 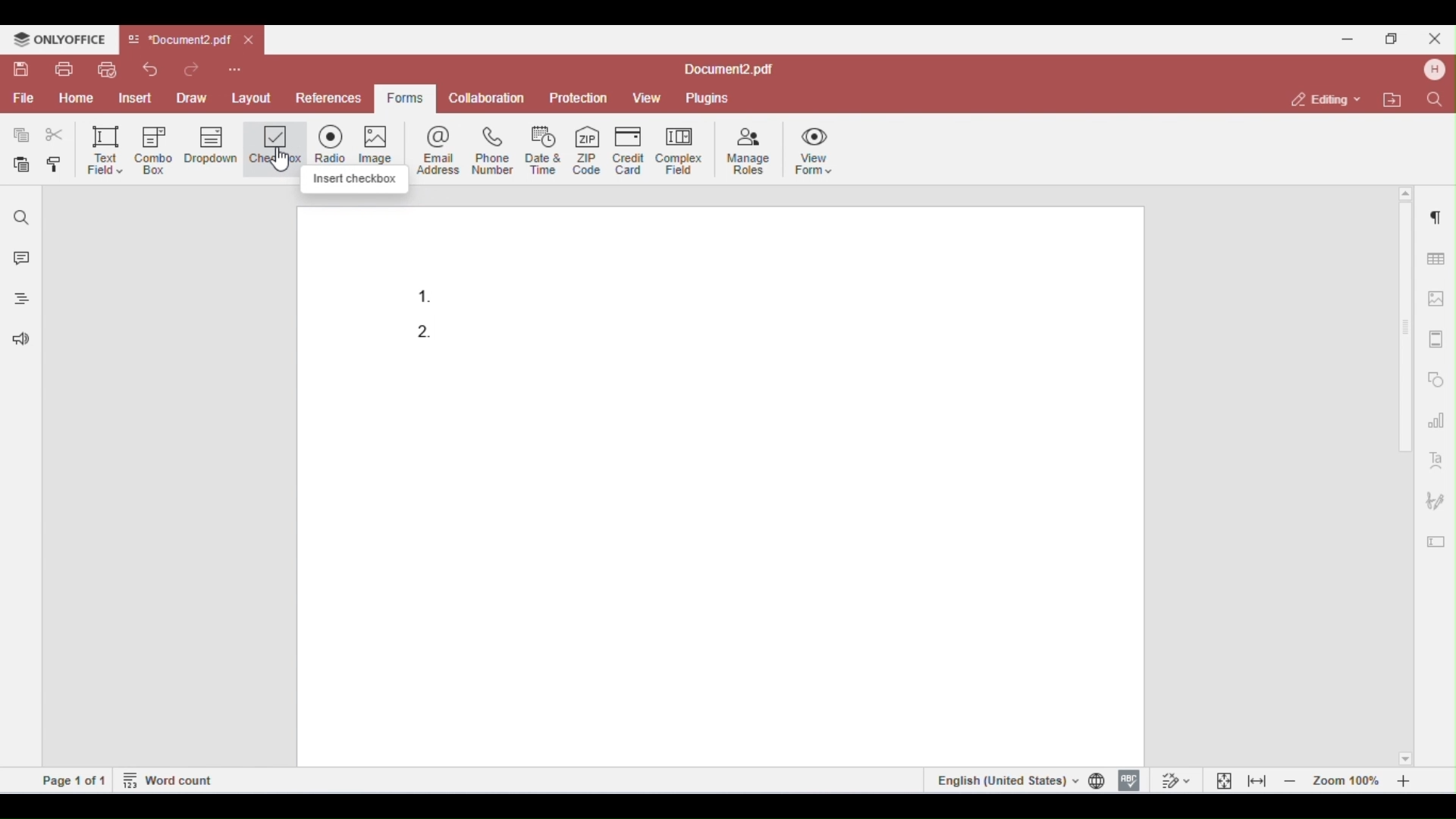 What do you see at coordinates (154, 150) in the screenshot?
I see `combo box` at bounding box center [154, 150].